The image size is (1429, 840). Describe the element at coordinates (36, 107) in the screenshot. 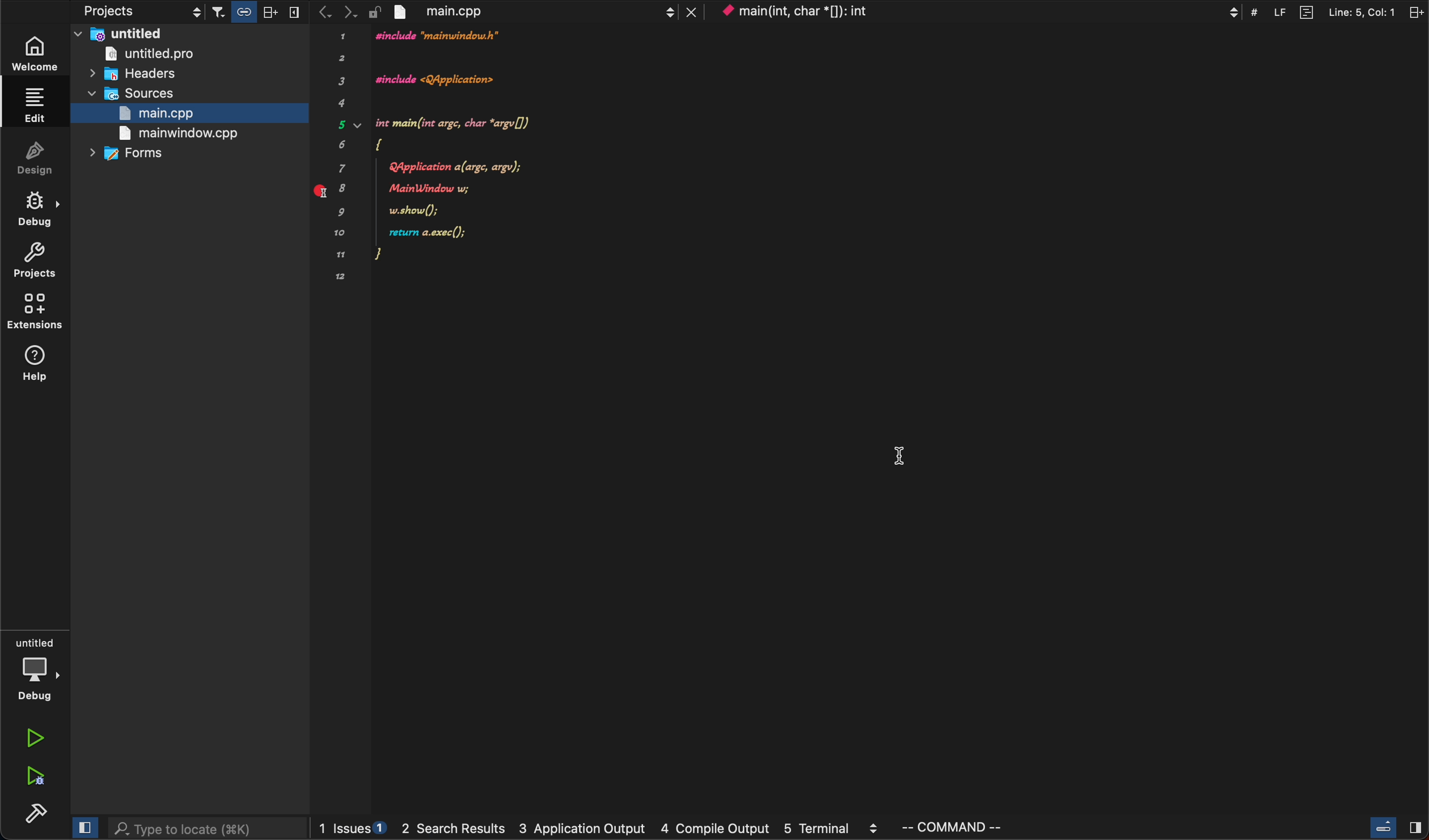

I see `edit` at that location.